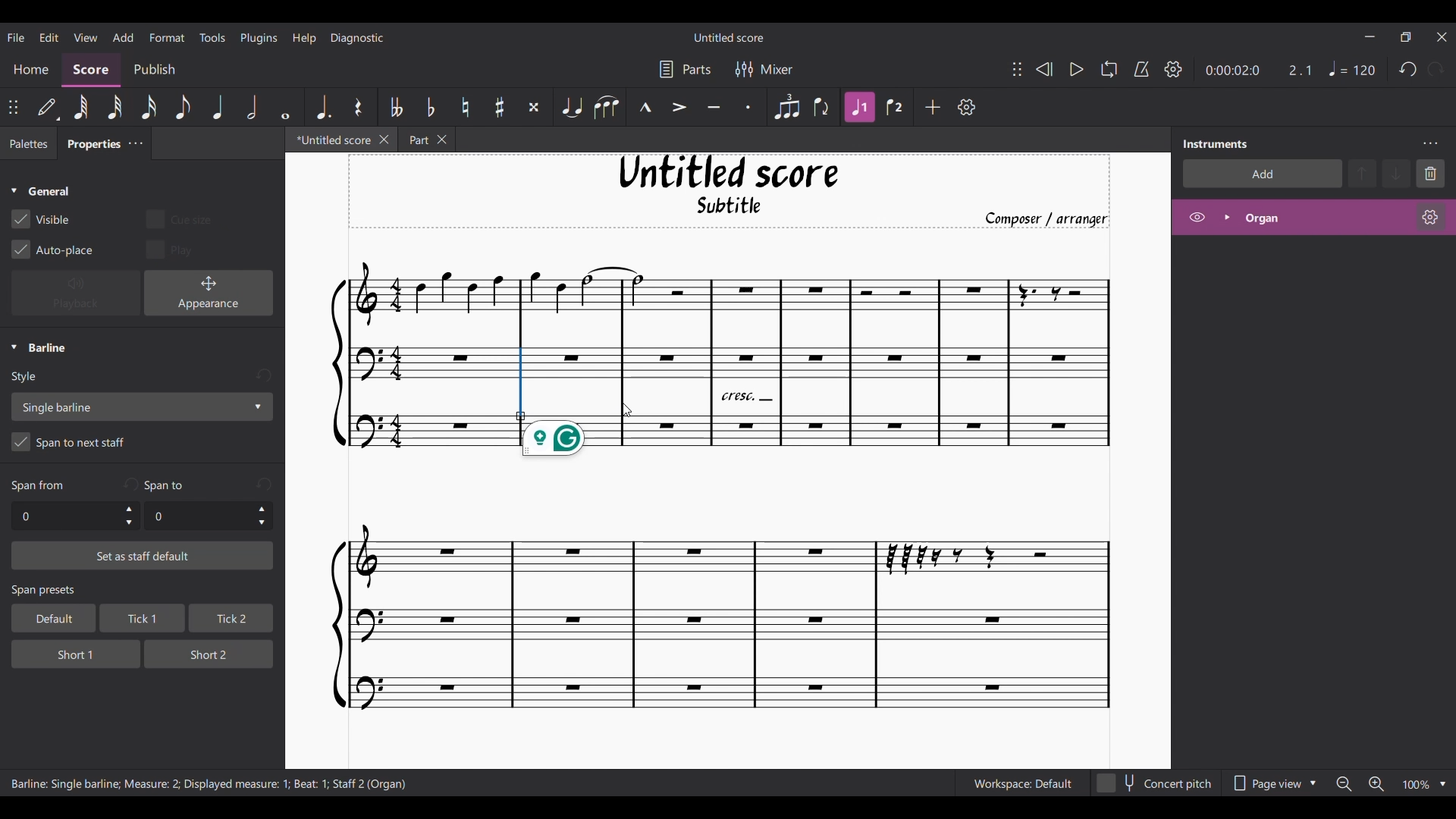 This screenshot has height=819, width=1456. What do you see at coordinates (896, 107) in the screenshot?
I see `Voice 2` at bounding box center [896, 107].